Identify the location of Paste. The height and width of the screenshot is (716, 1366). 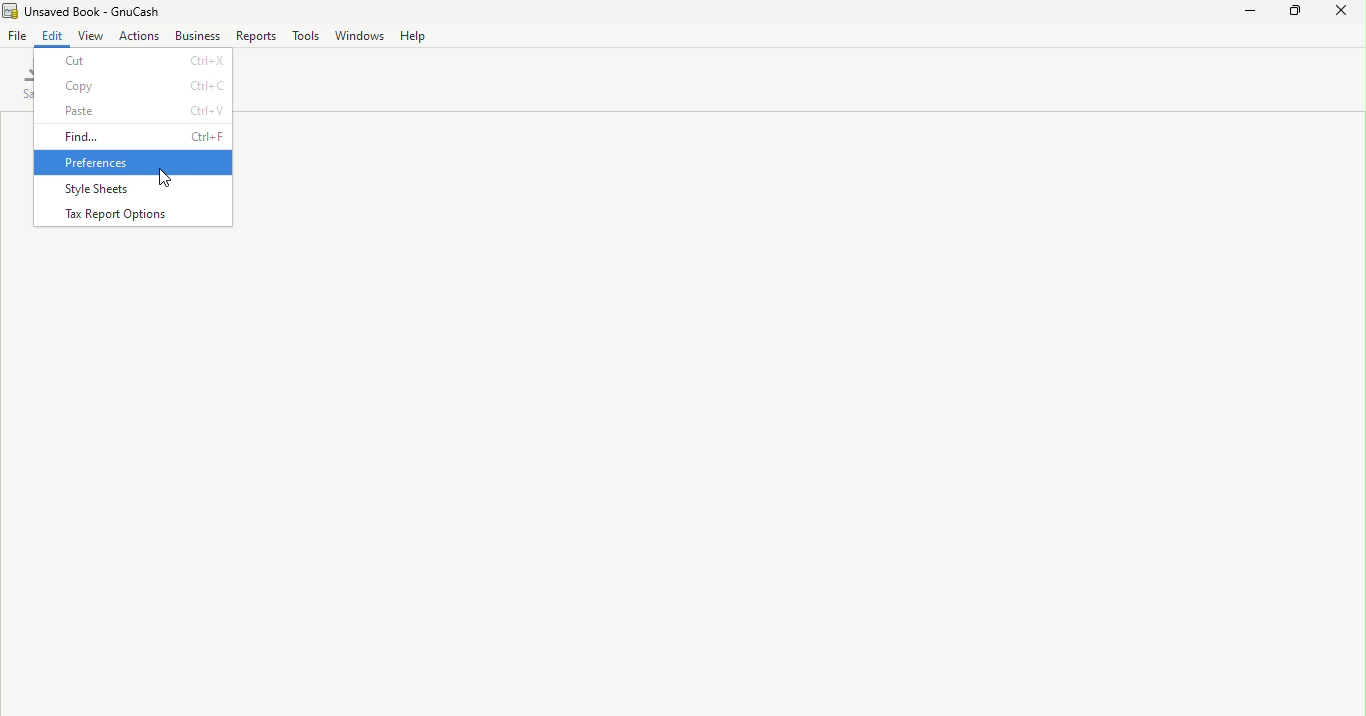
(136, 113).